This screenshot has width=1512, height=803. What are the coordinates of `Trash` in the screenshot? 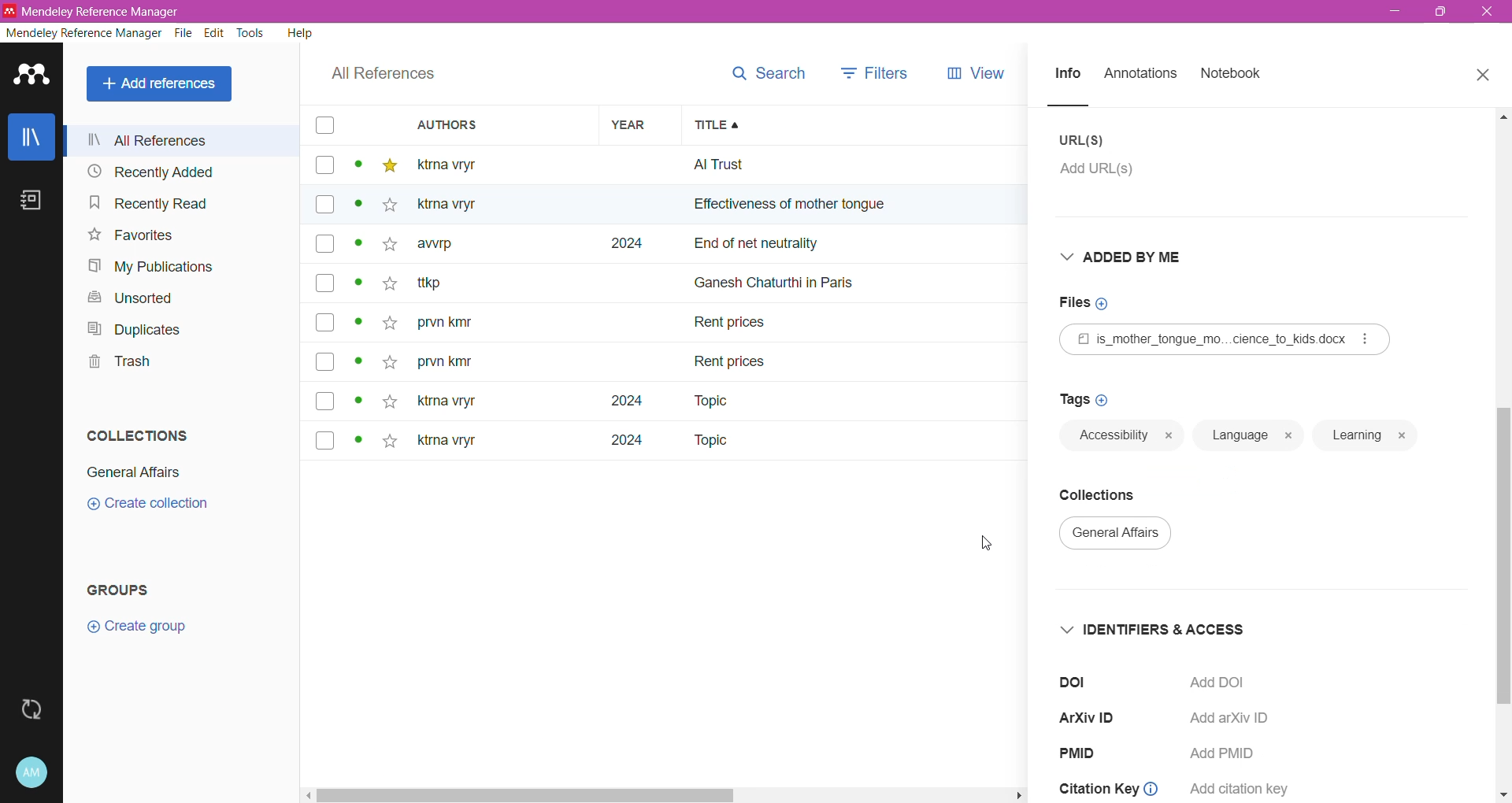 It's located at (117, 361).